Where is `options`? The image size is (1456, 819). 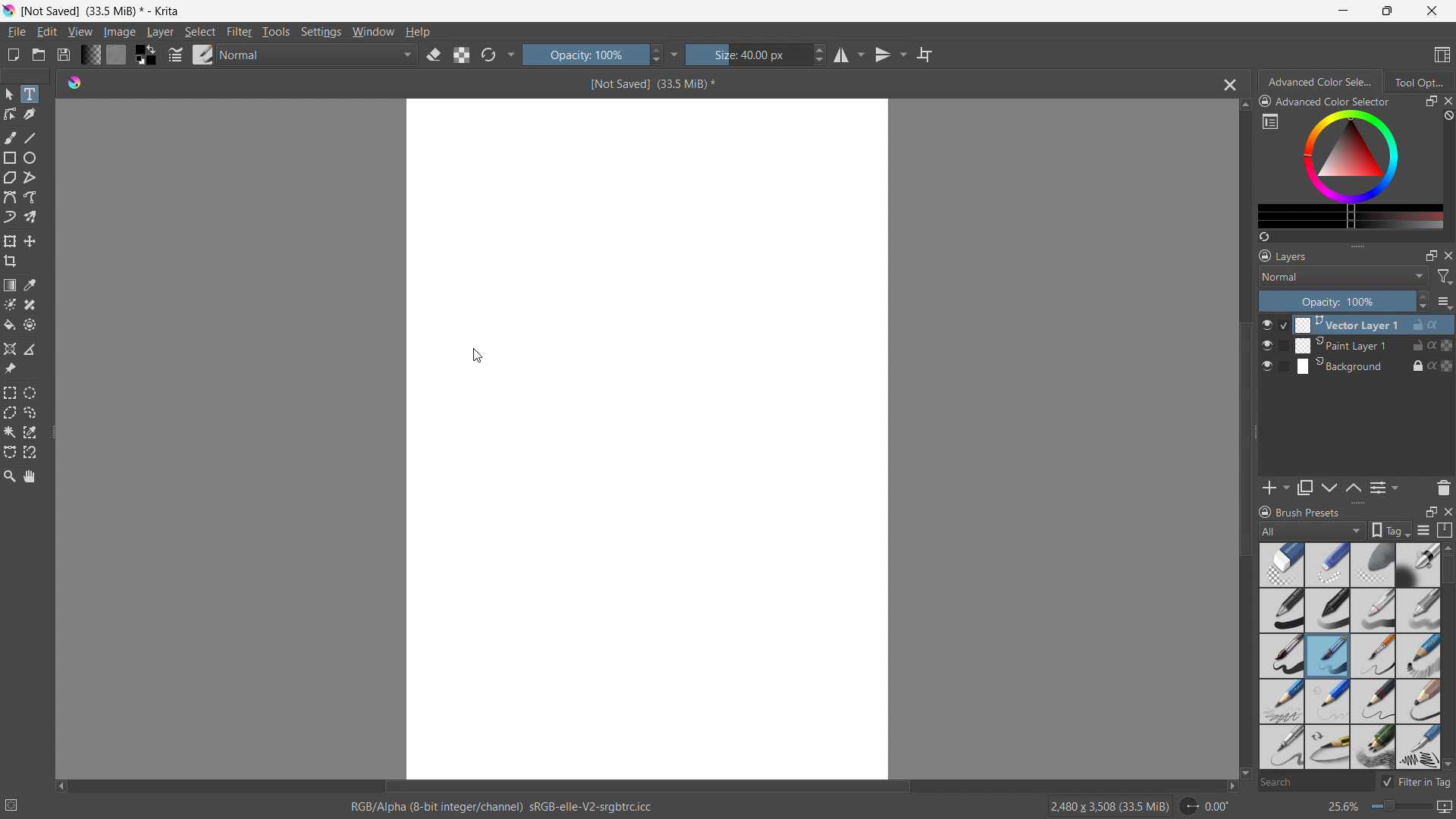 options is located at coordinates (1444, 302).